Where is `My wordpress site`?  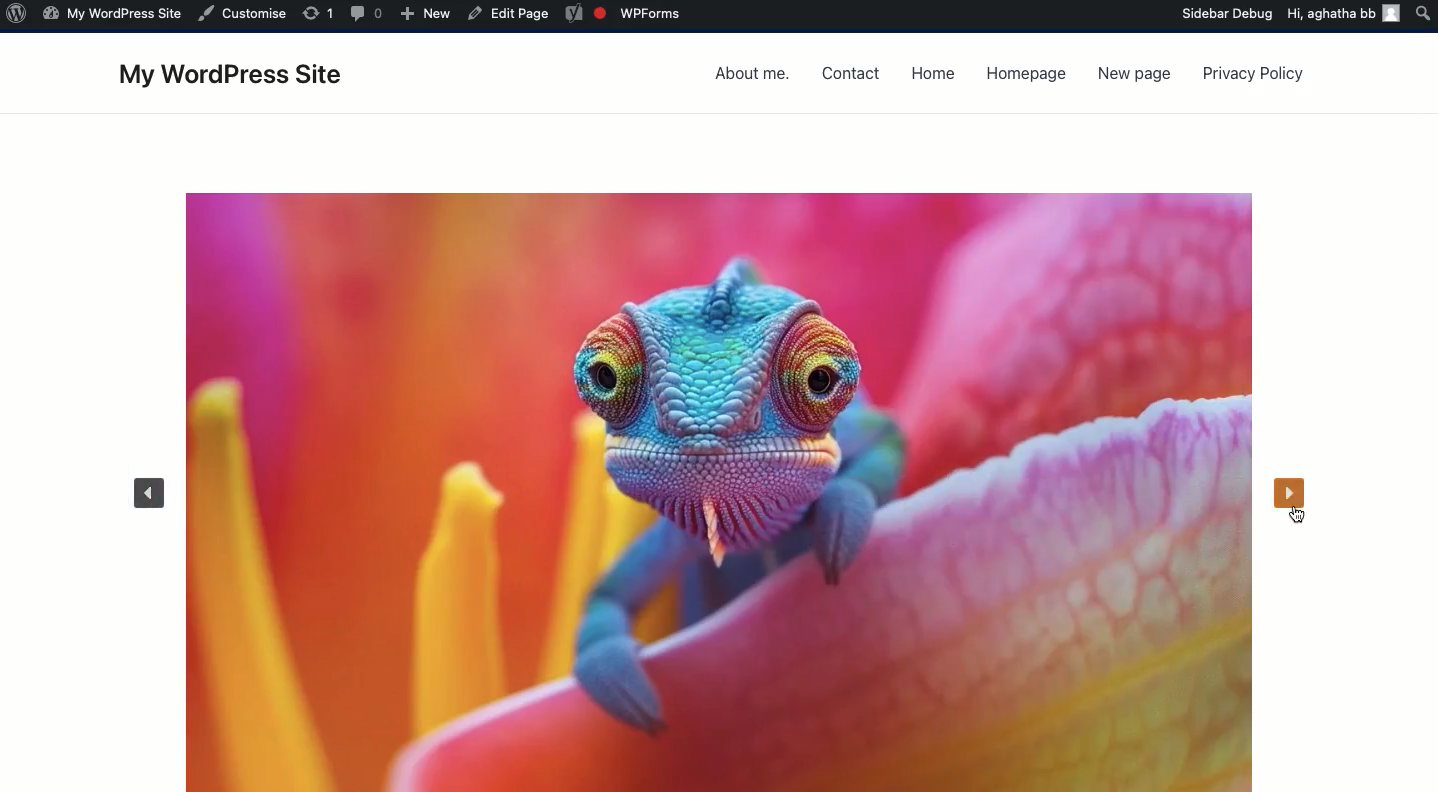
My wordpress site is located at coordinates (240, 77).